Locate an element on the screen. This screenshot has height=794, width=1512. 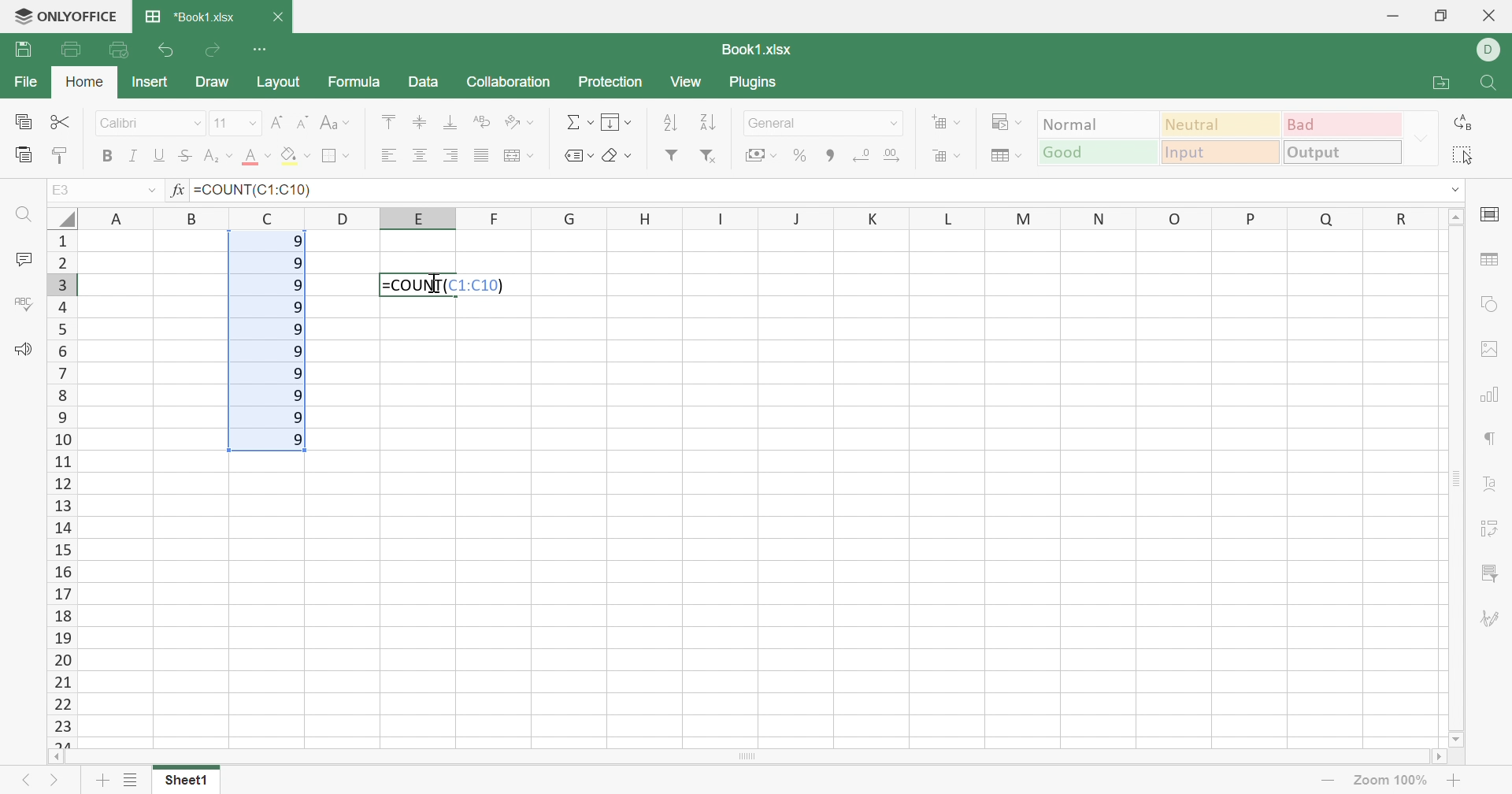
Drop Down is located at coordinates (252, 123).